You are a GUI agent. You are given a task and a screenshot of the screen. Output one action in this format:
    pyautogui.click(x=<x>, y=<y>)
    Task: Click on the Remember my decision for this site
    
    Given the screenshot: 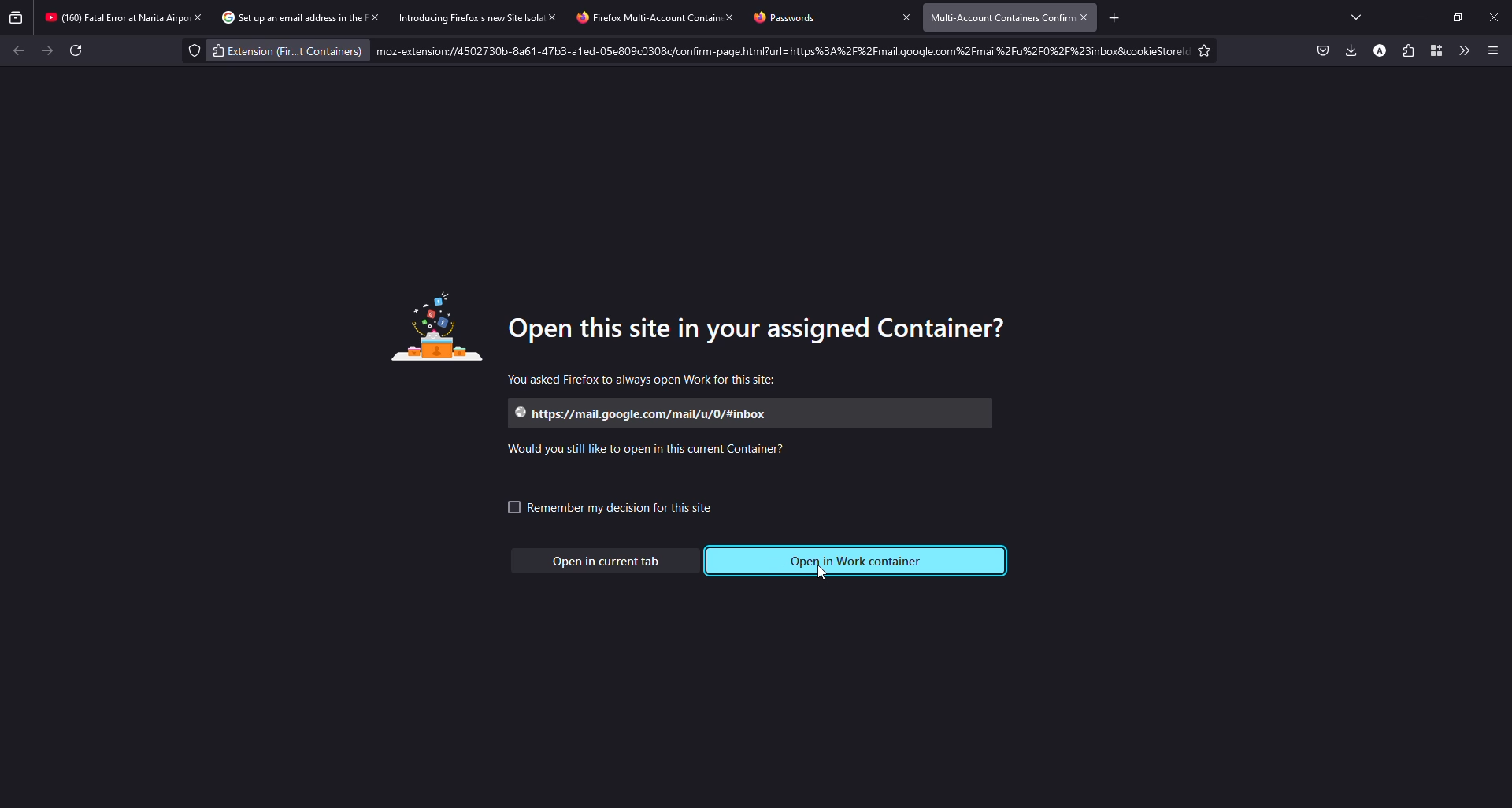 What is the action you would take?
    pyautogui.click(x=633, y=510)
    